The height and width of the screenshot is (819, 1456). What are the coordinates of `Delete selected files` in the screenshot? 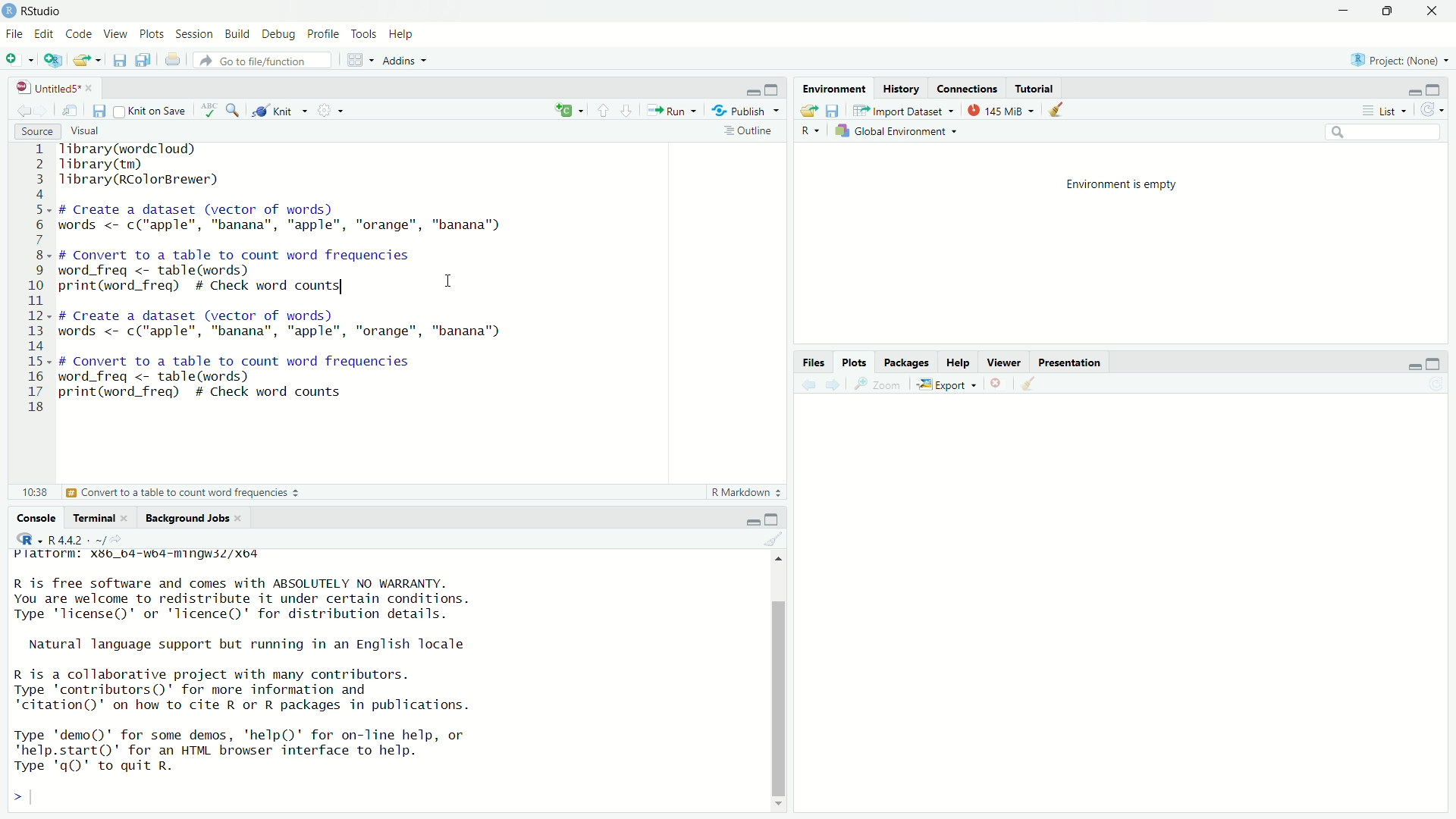 It's located at (997, 383).